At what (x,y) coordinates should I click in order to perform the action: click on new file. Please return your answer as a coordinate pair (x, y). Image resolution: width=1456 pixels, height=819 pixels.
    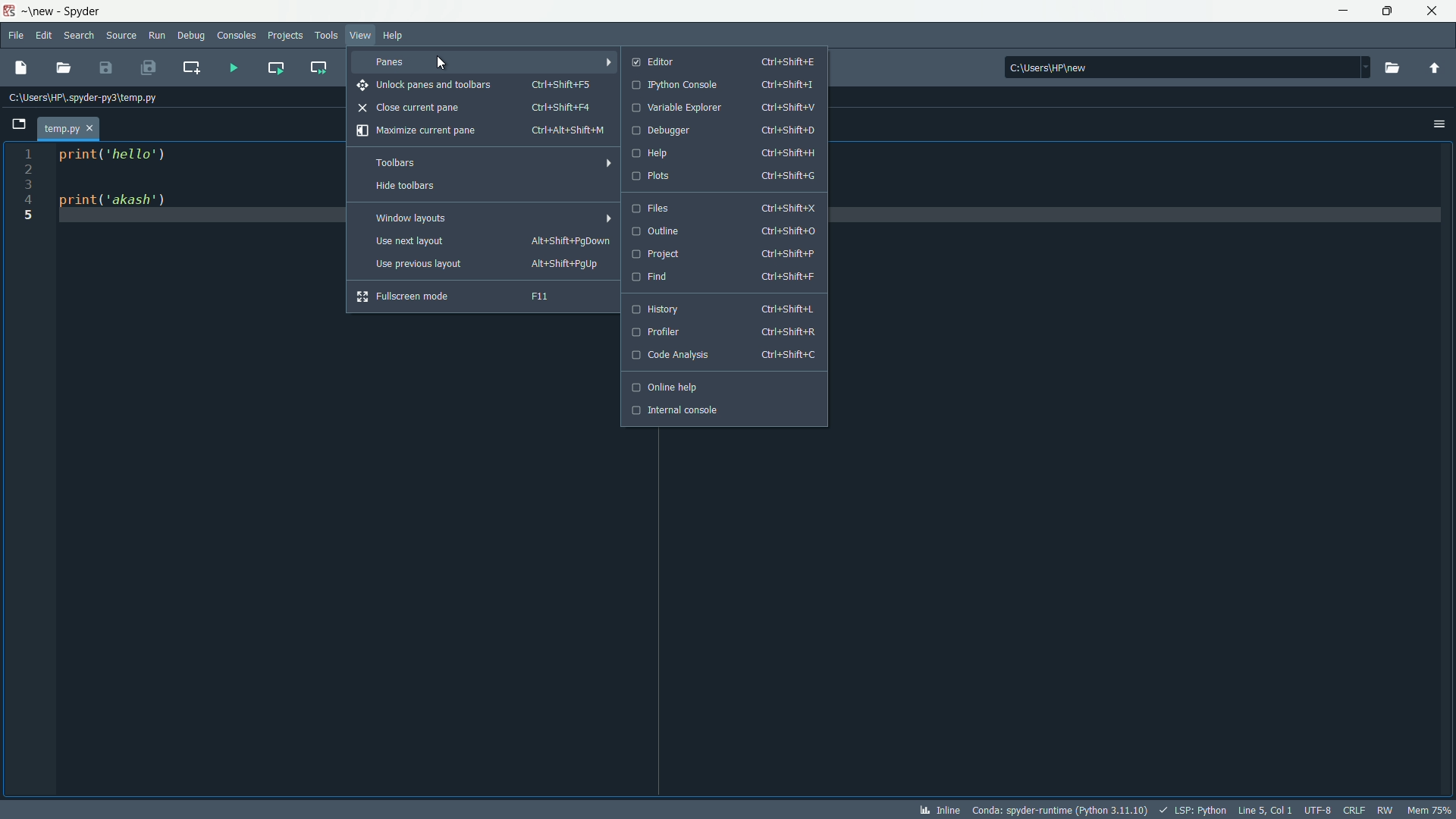
    Looking at the image, I should click on (21, 67).